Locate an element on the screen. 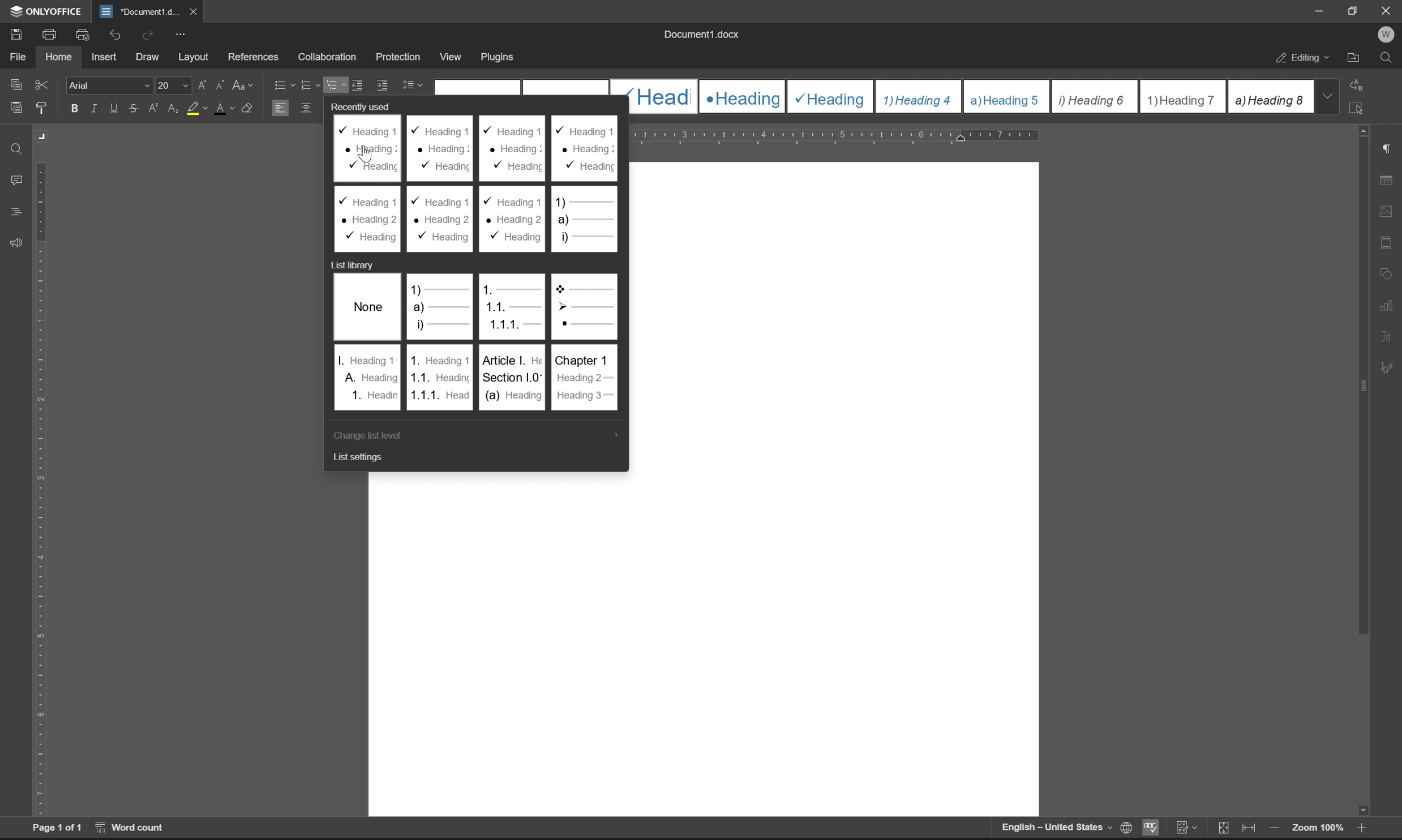  Heading 8 is located at coordinates (1270, 96).